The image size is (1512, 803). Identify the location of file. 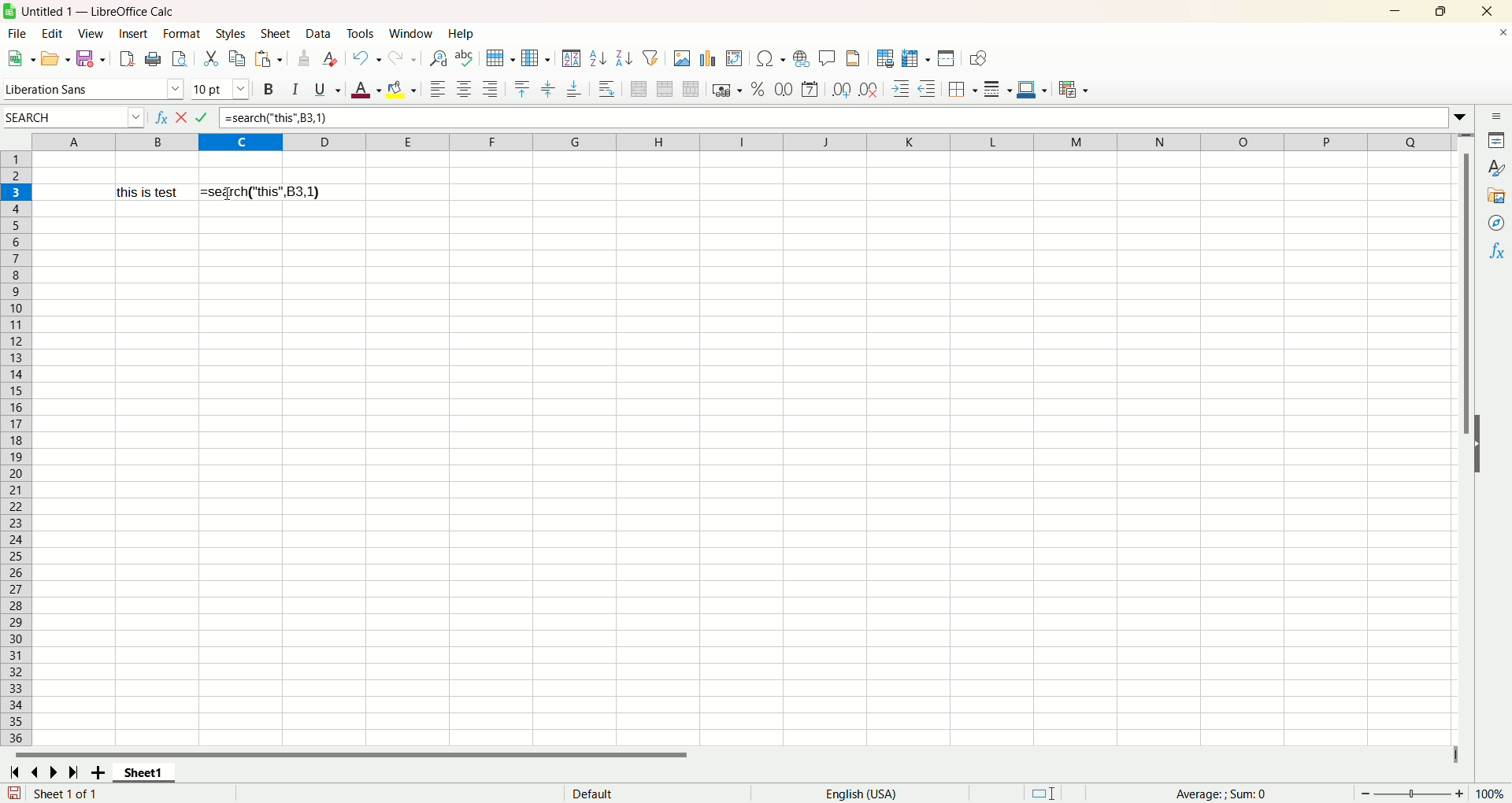
(19, 34).